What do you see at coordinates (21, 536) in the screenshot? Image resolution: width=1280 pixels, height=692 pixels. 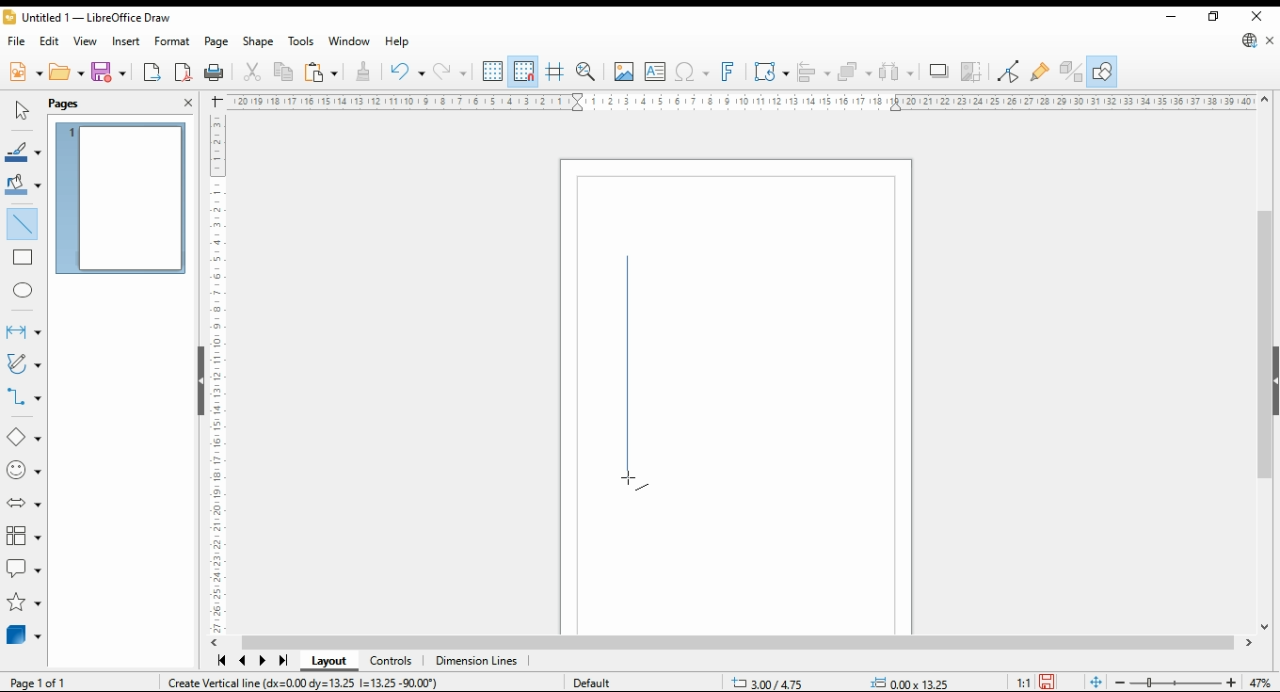 I see `flowchart` at bounding box center [21, 536].